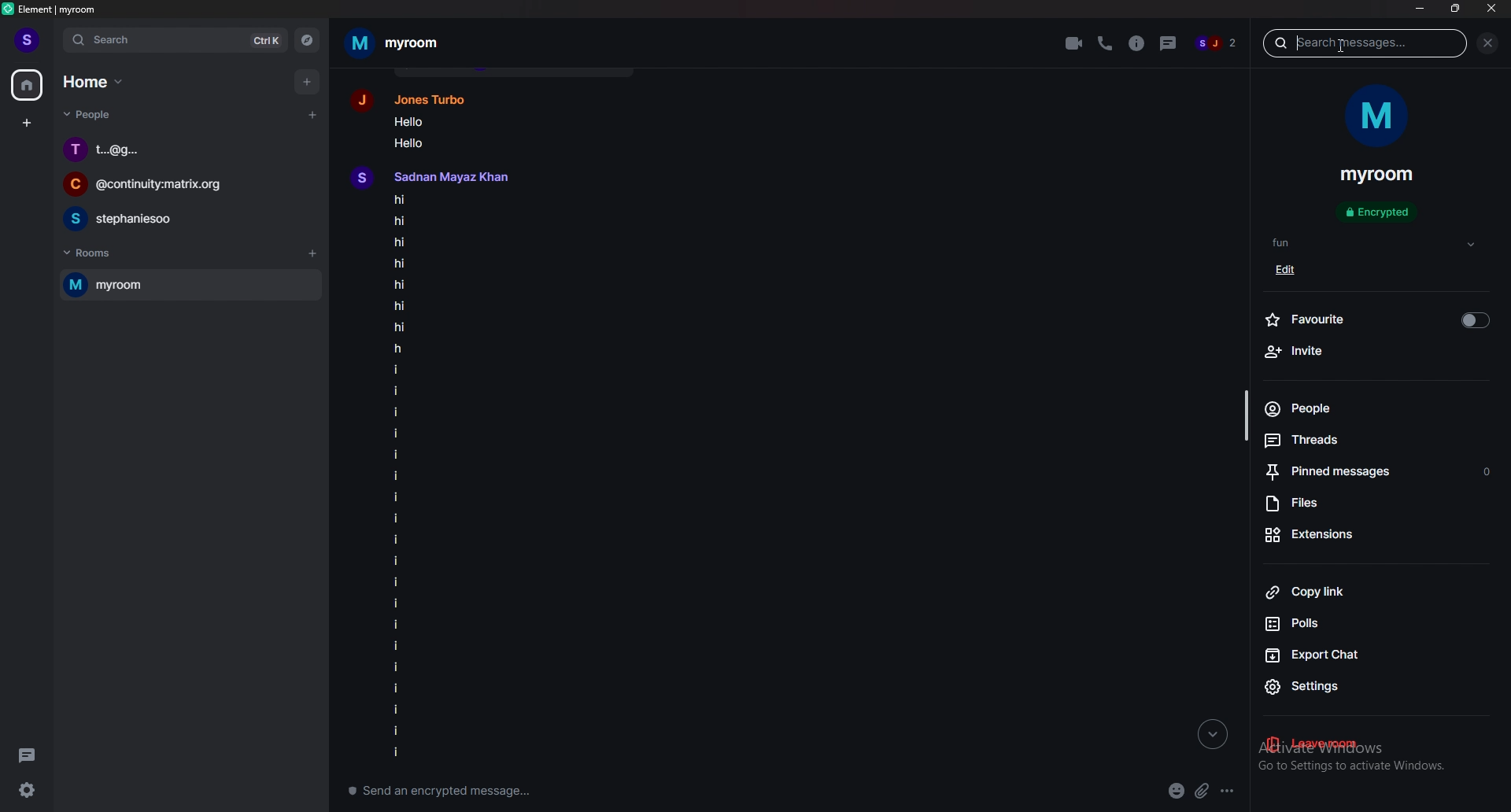  Describe the element at coordinates (1246, 415) in the screenshot. I see `scroll bar` at that location.